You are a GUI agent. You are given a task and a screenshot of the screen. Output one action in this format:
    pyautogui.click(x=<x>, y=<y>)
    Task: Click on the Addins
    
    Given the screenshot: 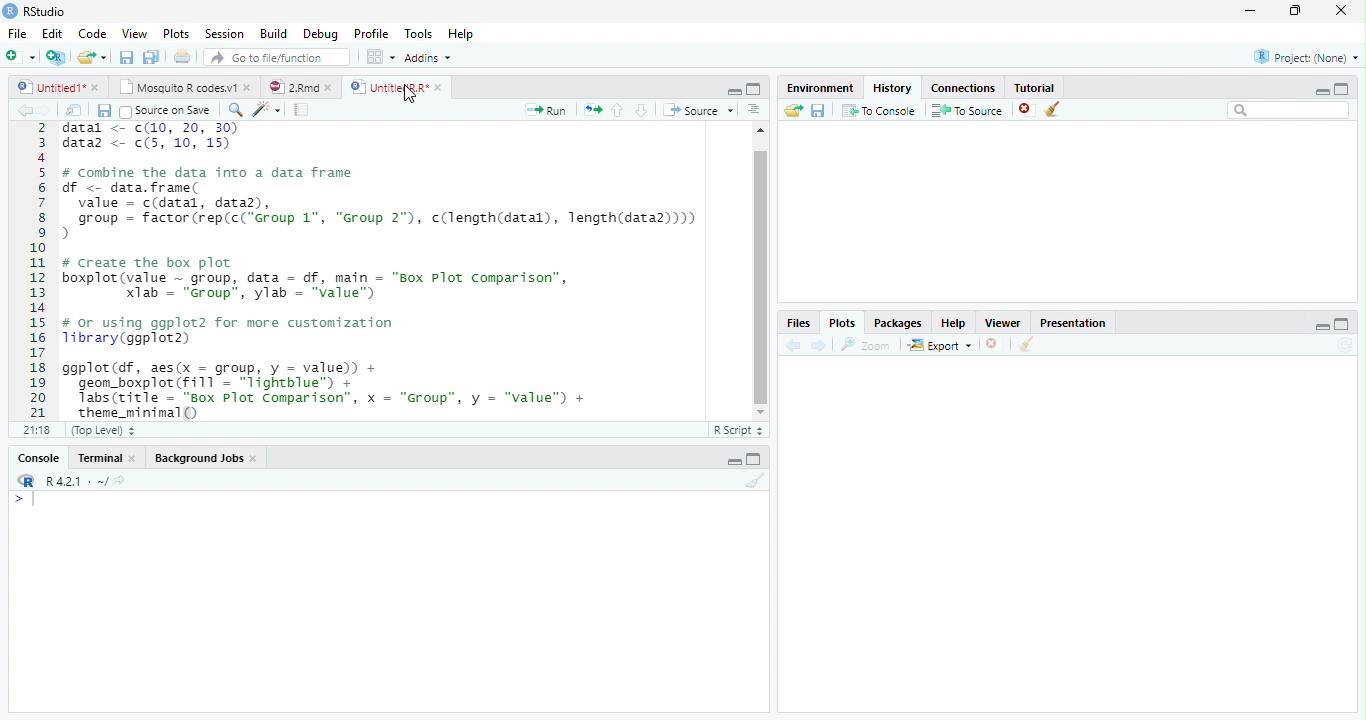 What is the action you would take?
    pyautogui.click(x=426, y=57)
    